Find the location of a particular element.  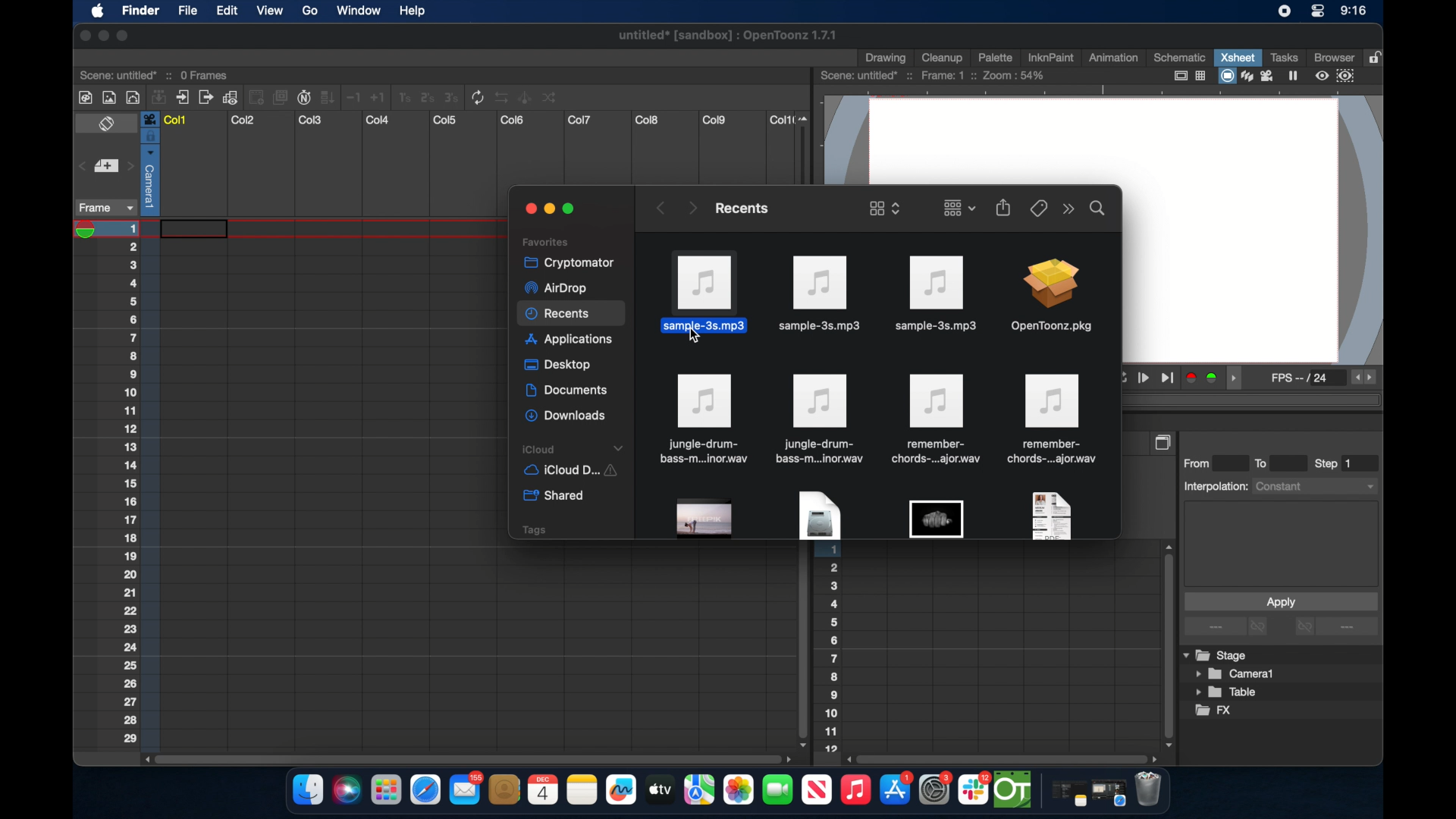

stage is located at coordinates (1216, 656).